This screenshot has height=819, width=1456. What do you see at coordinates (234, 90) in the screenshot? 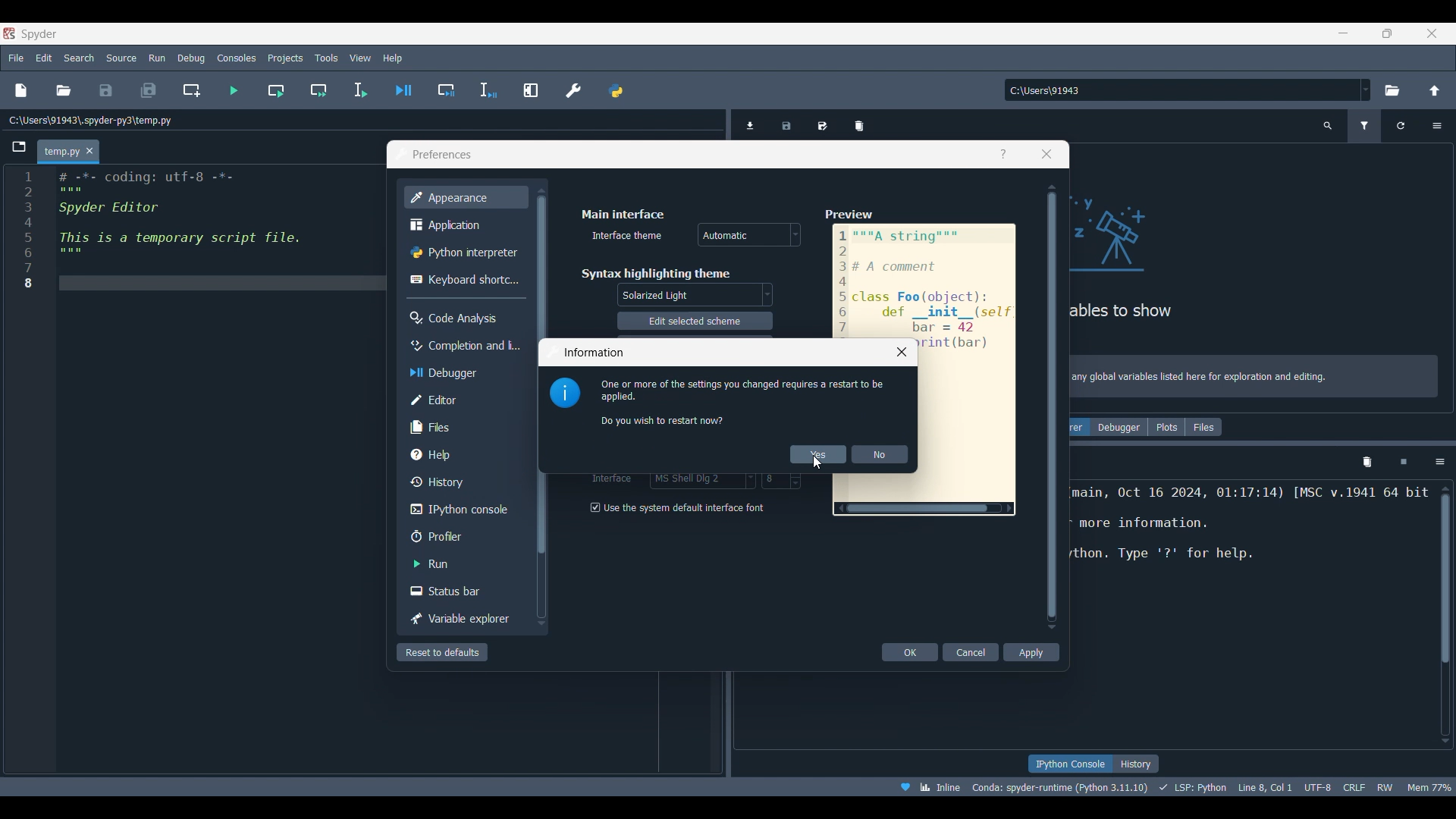
I see `Run file` at bounding box center [234, 90].